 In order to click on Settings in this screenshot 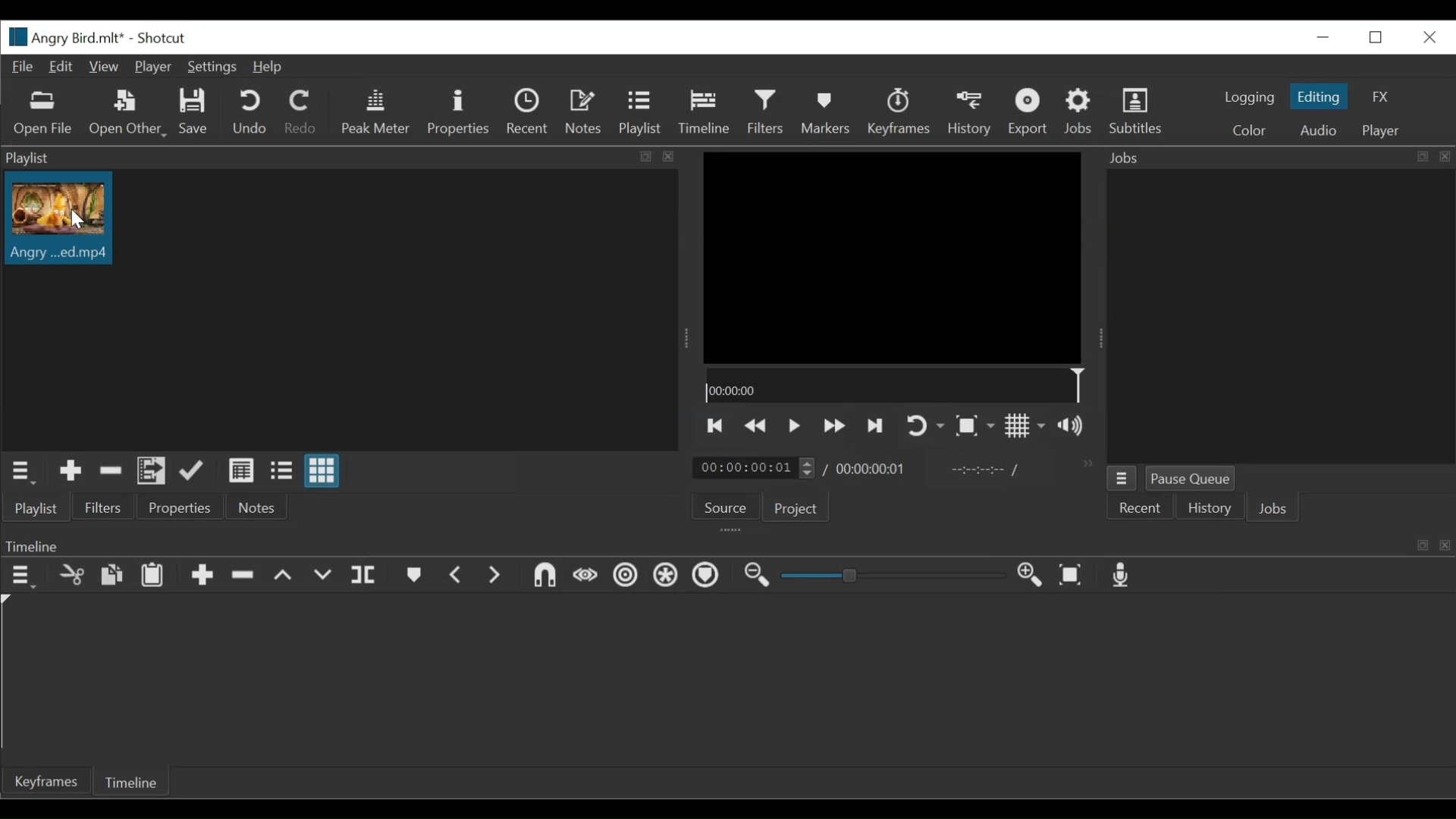, I will do `click(212, 67)`.